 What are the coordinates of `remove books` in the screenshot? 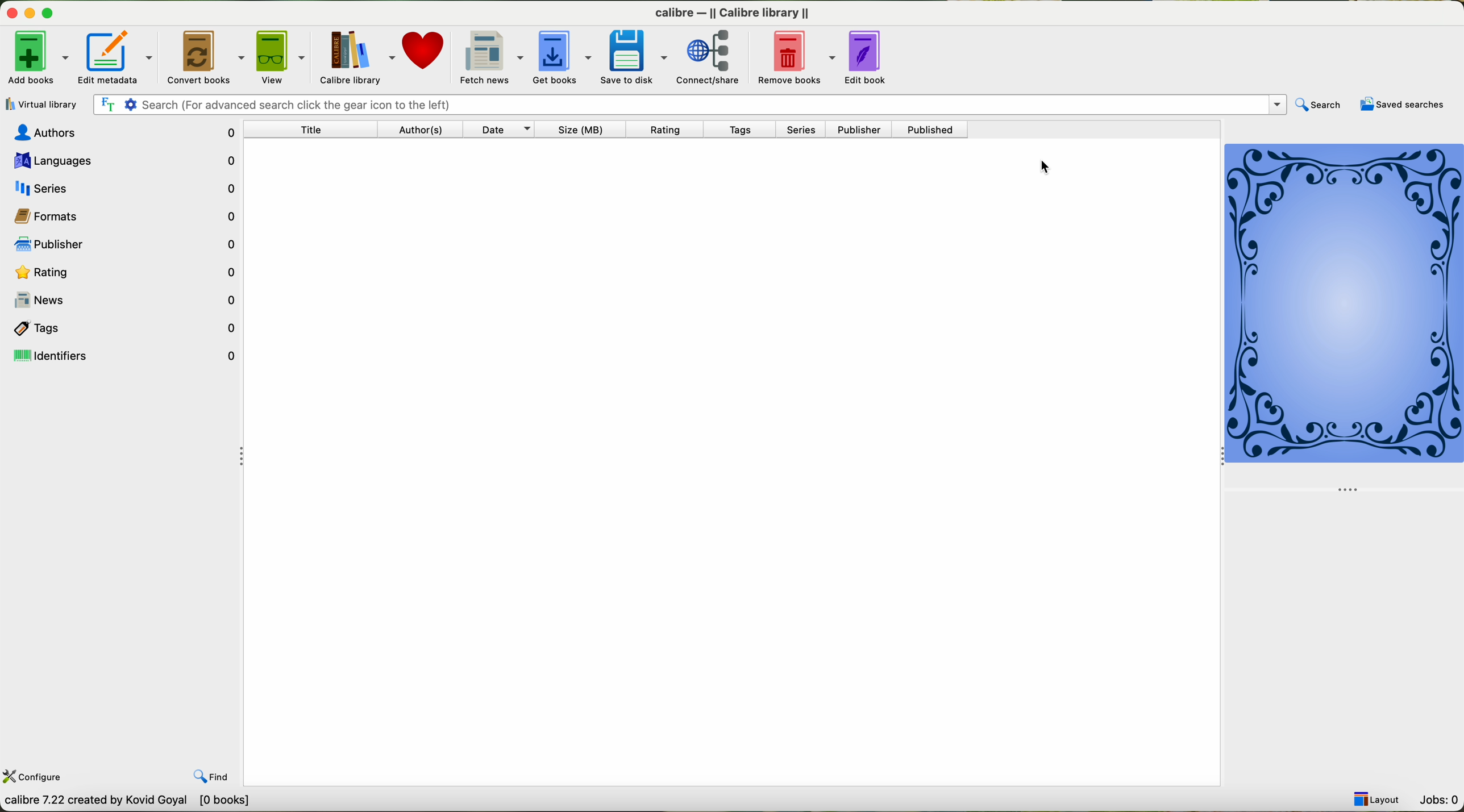 It's located at (797, 59).